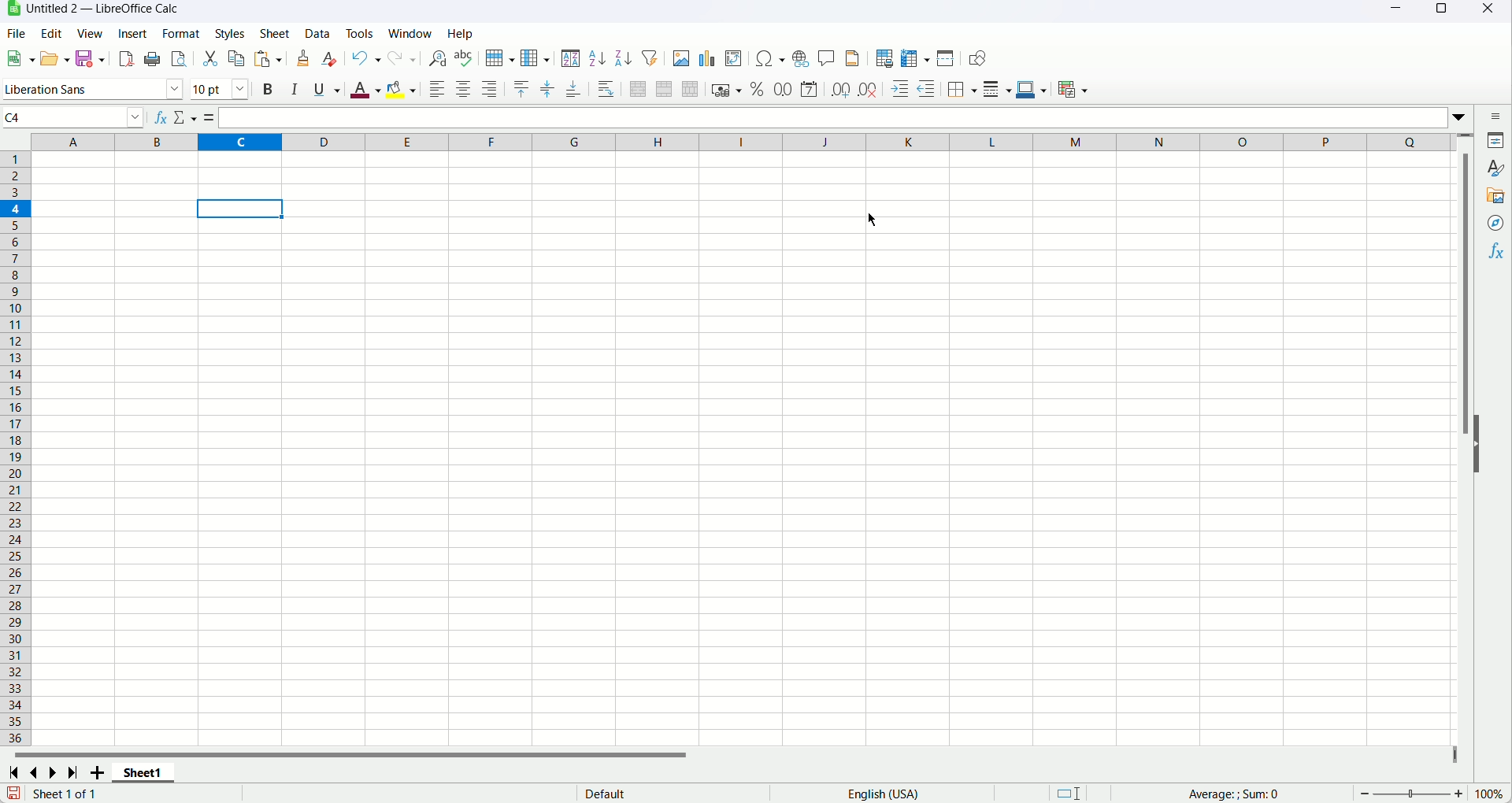  Describe the element at coordinates (179, 32) in the screenshot. I see `Format` at that location.